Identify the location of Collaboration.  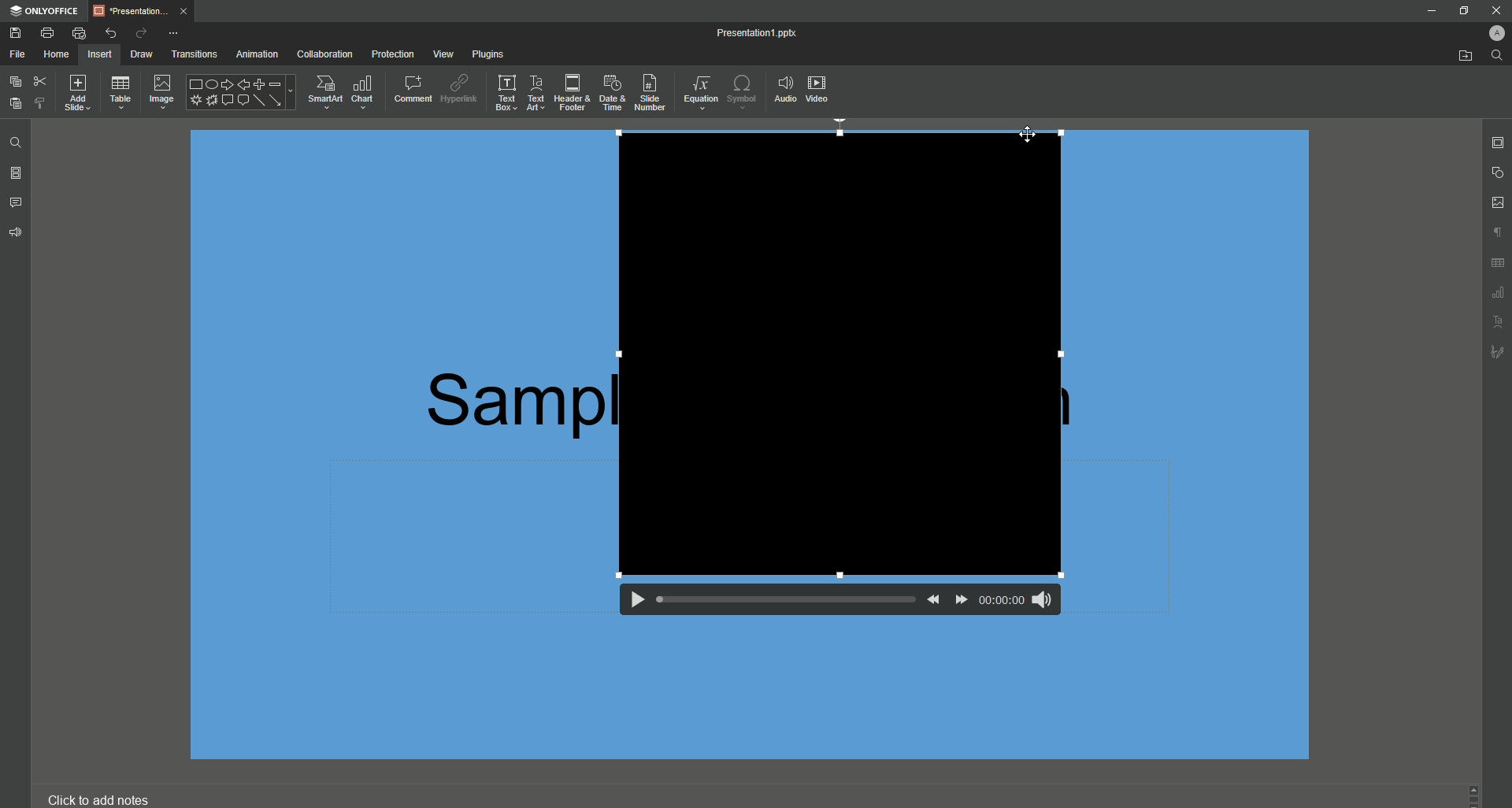
(324, 54).